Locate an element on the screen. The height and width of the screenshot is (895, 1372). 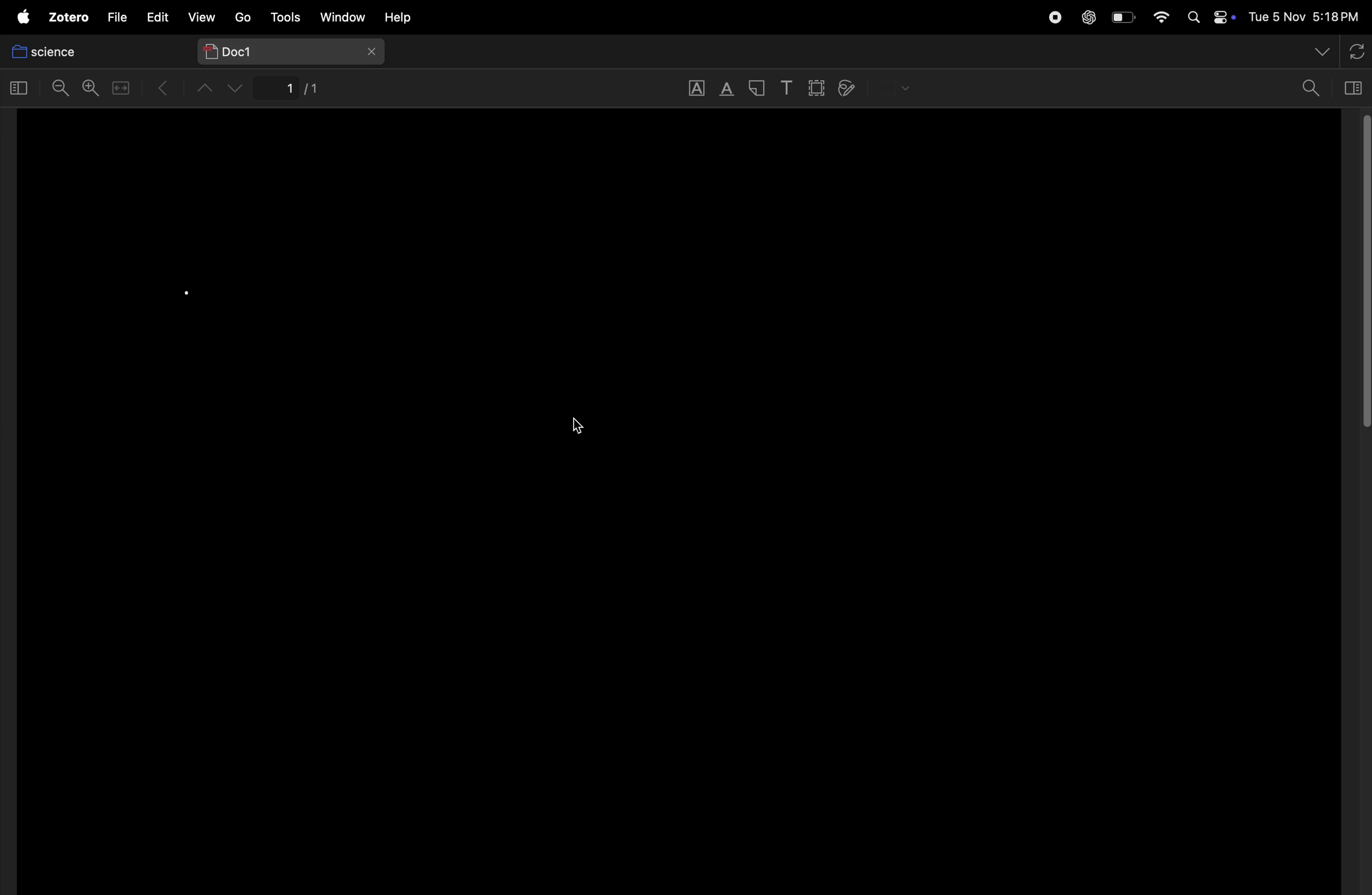
apple widgets is located at coordinates (1210, 17).